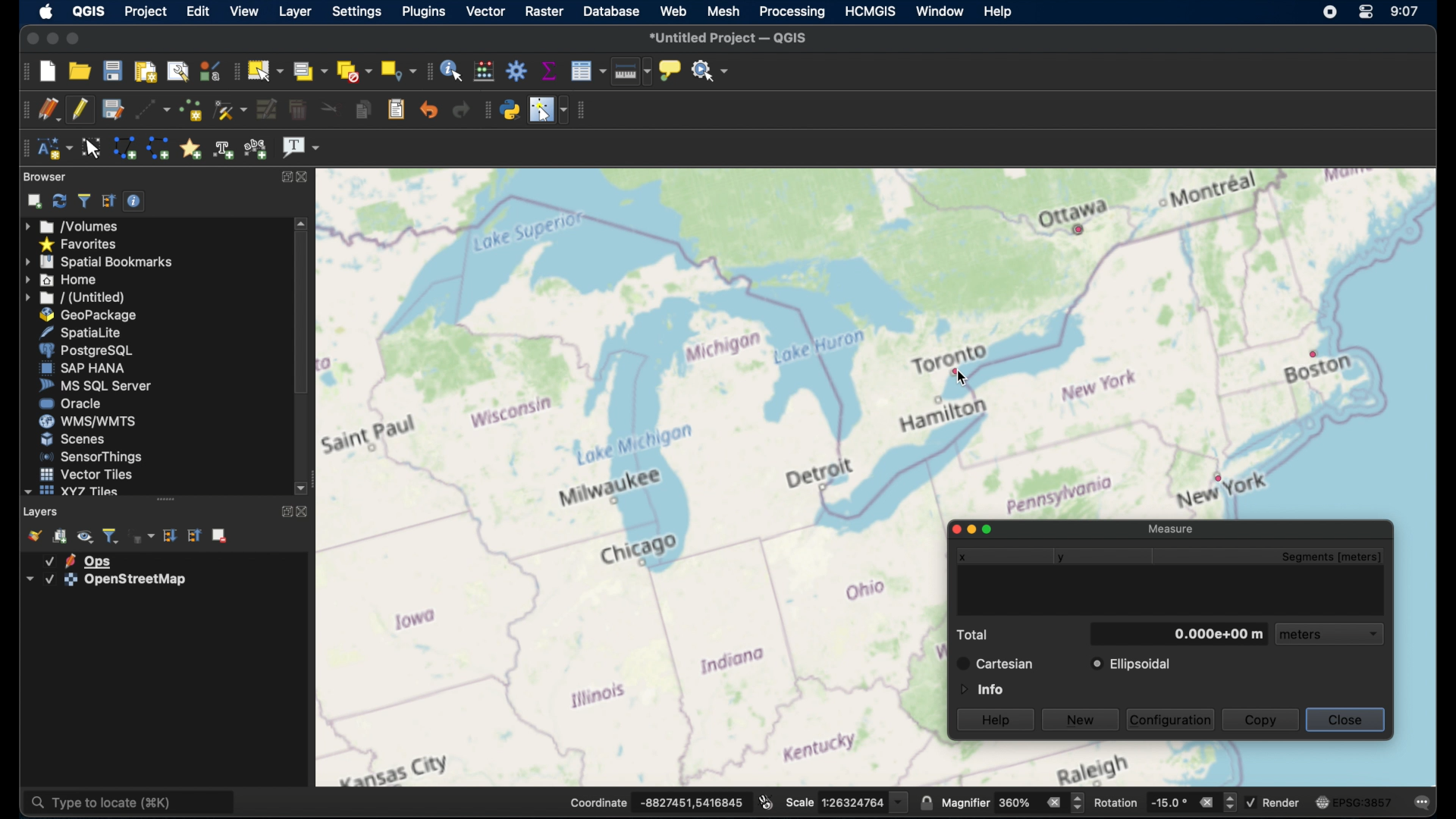 This screenshot has width=1456, height=819. Describe the element at coordinates (49, 70) in the screenshot. I see `new project` at that location.